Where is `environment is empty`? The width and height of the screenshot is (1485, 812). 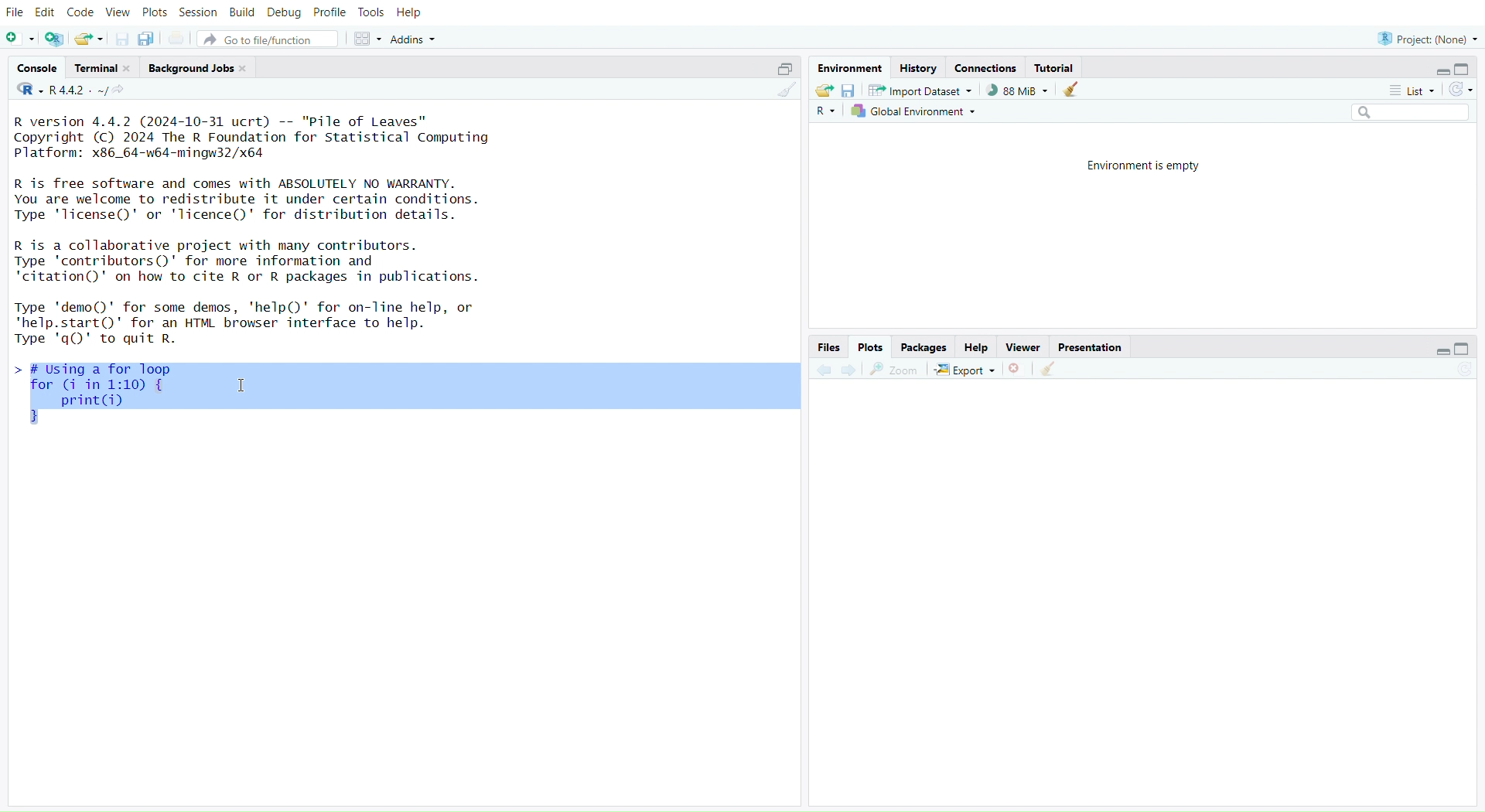 environment is empty is located at coordinates (1139, 168).